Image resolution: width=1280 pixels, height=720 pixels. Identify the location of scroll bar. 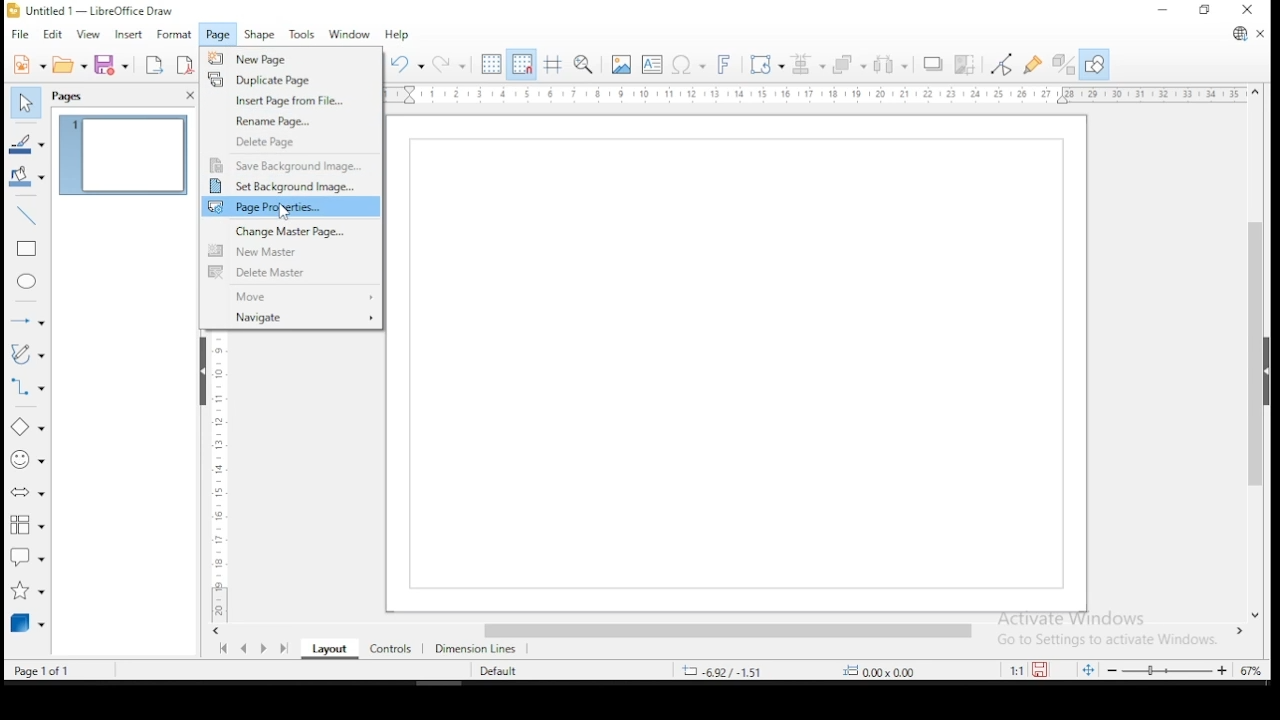
(735, 632).